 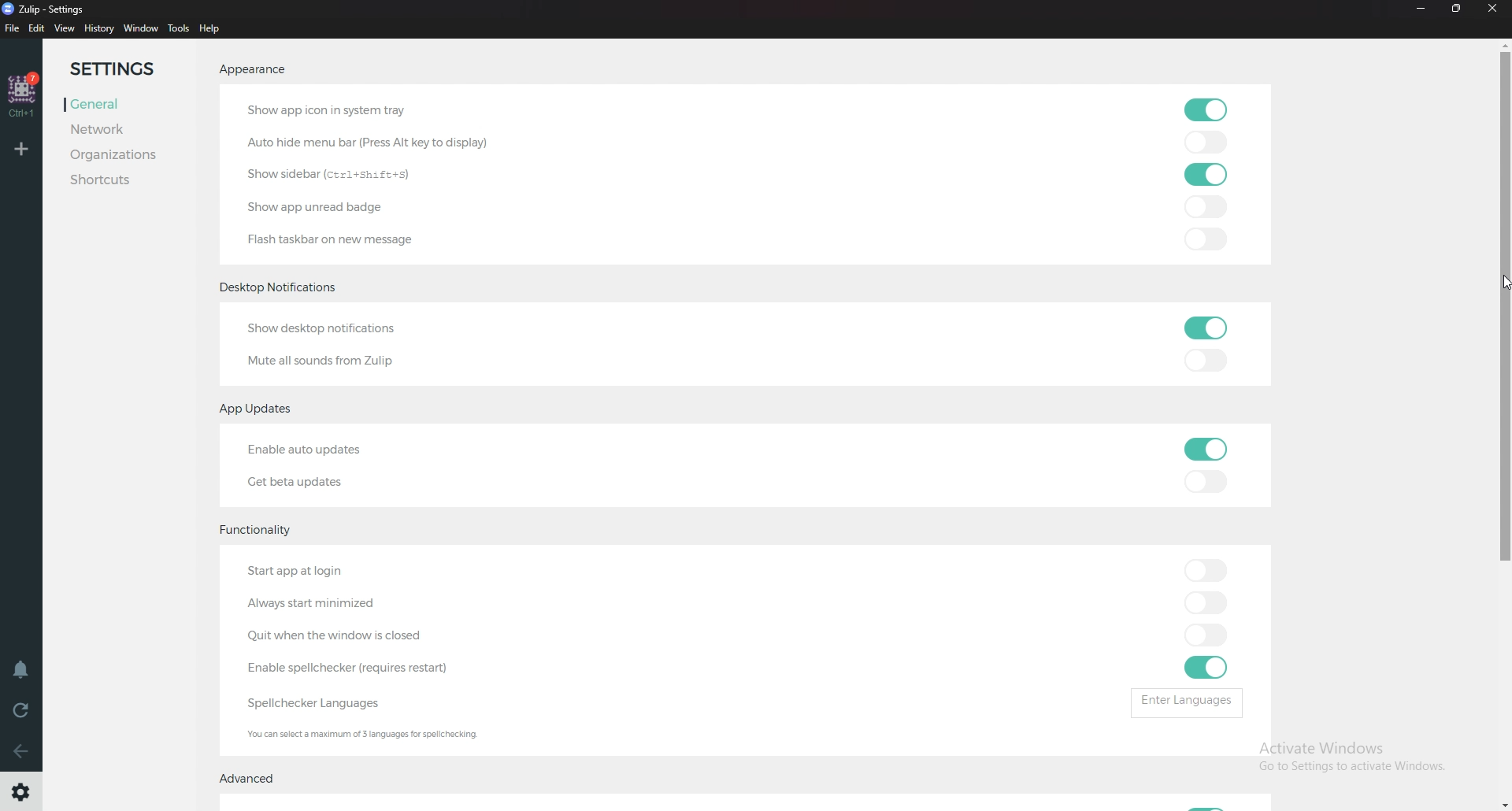 I want to click on Enable auto updates, so click(x=337, y=447).